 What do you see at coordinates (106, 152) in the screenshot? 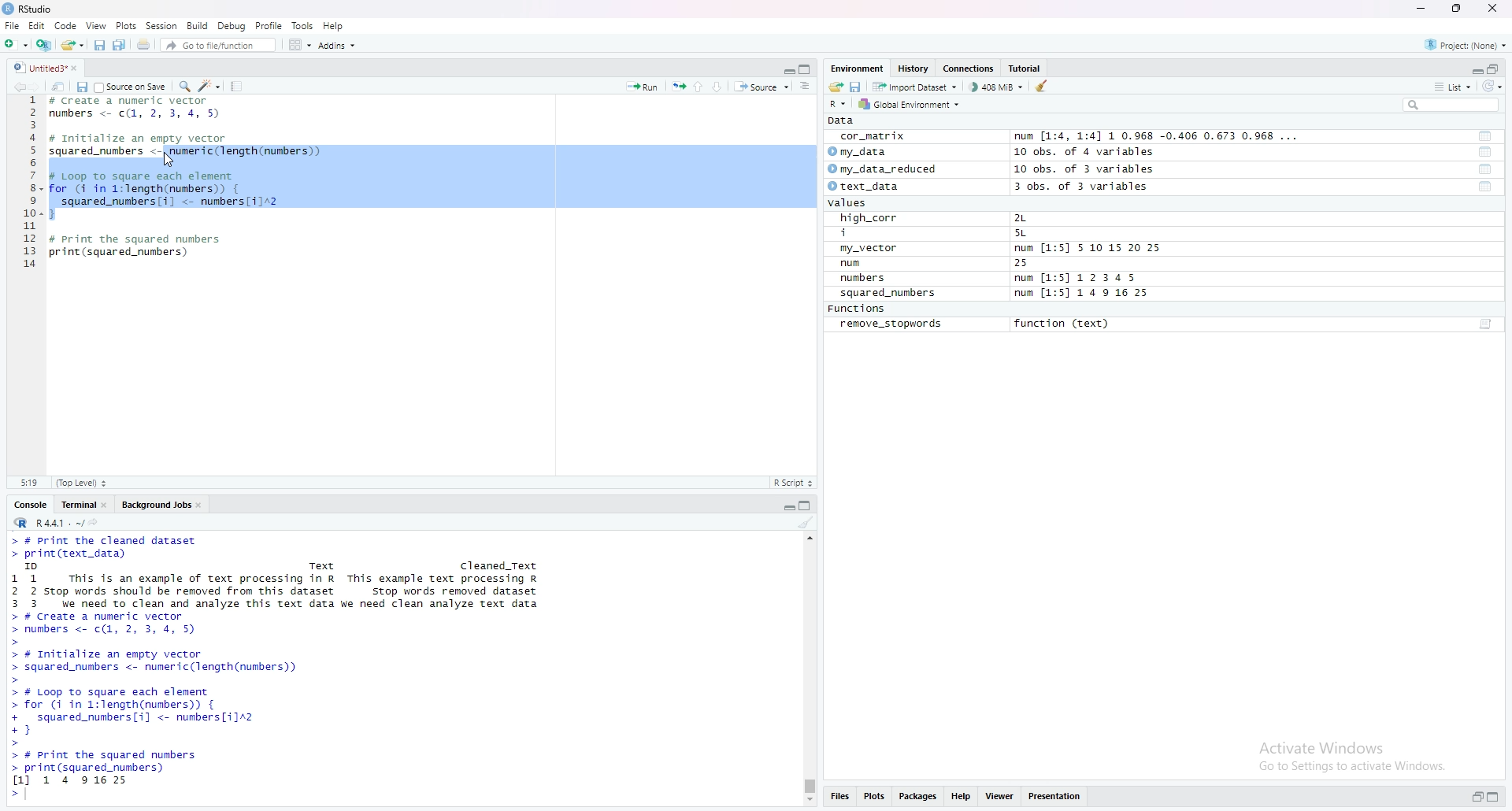
I see `squared_numbers <-` at bounding box center [106, 152].